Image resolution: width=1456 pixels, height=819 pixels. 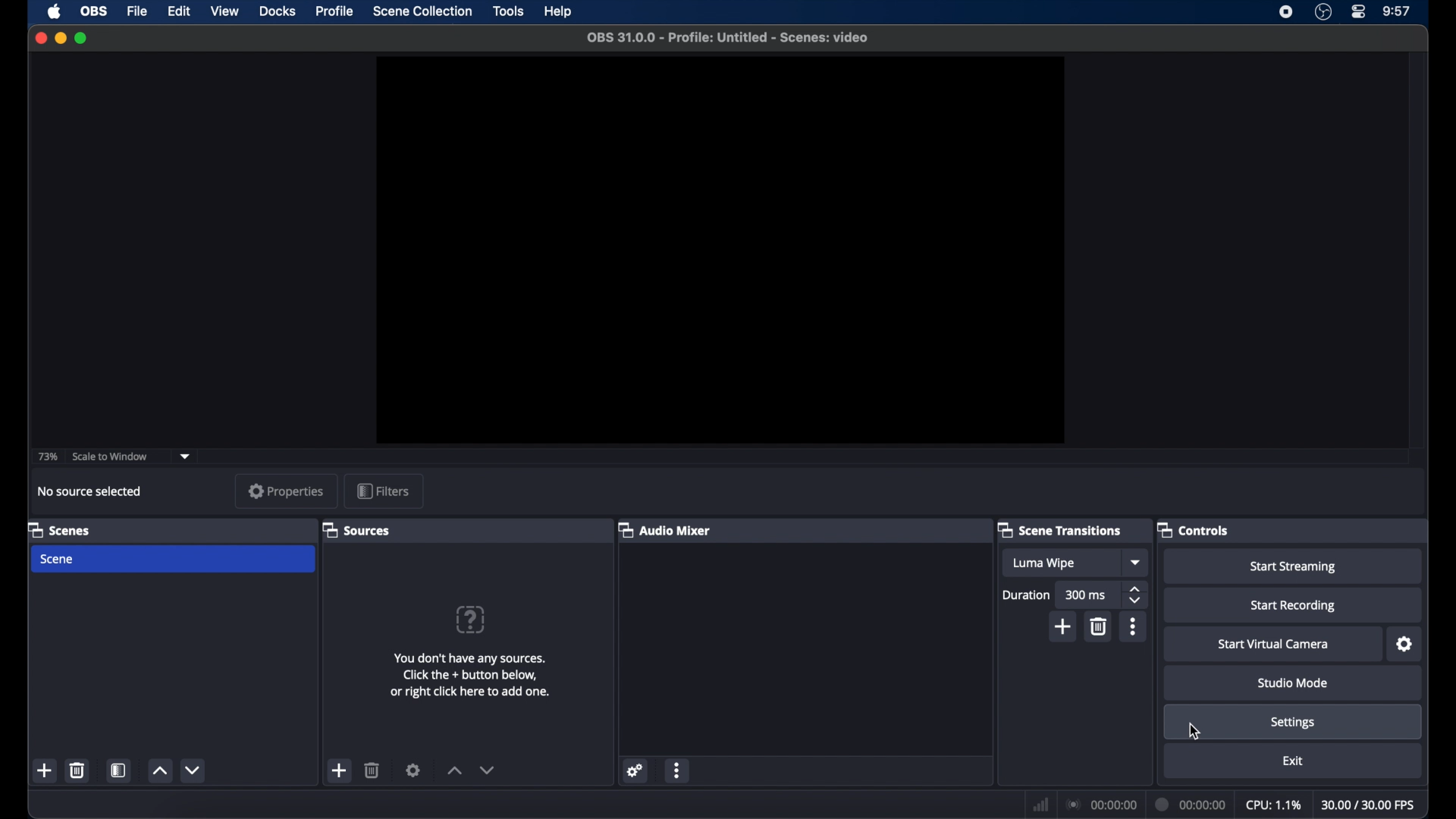 I want to click on view, so click(x=224, y=11).